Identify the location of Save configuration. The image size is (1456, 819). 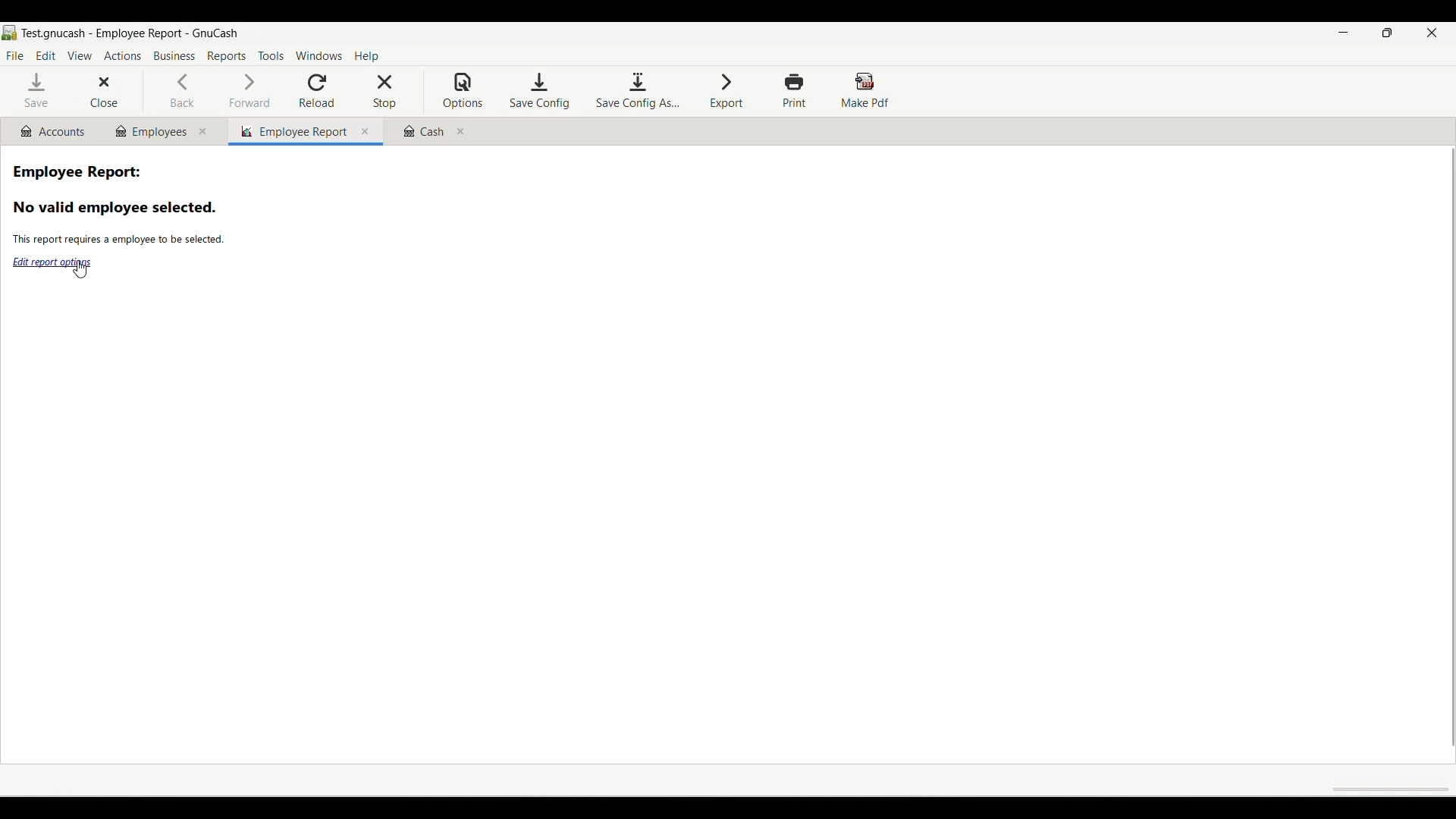
(538, 91).